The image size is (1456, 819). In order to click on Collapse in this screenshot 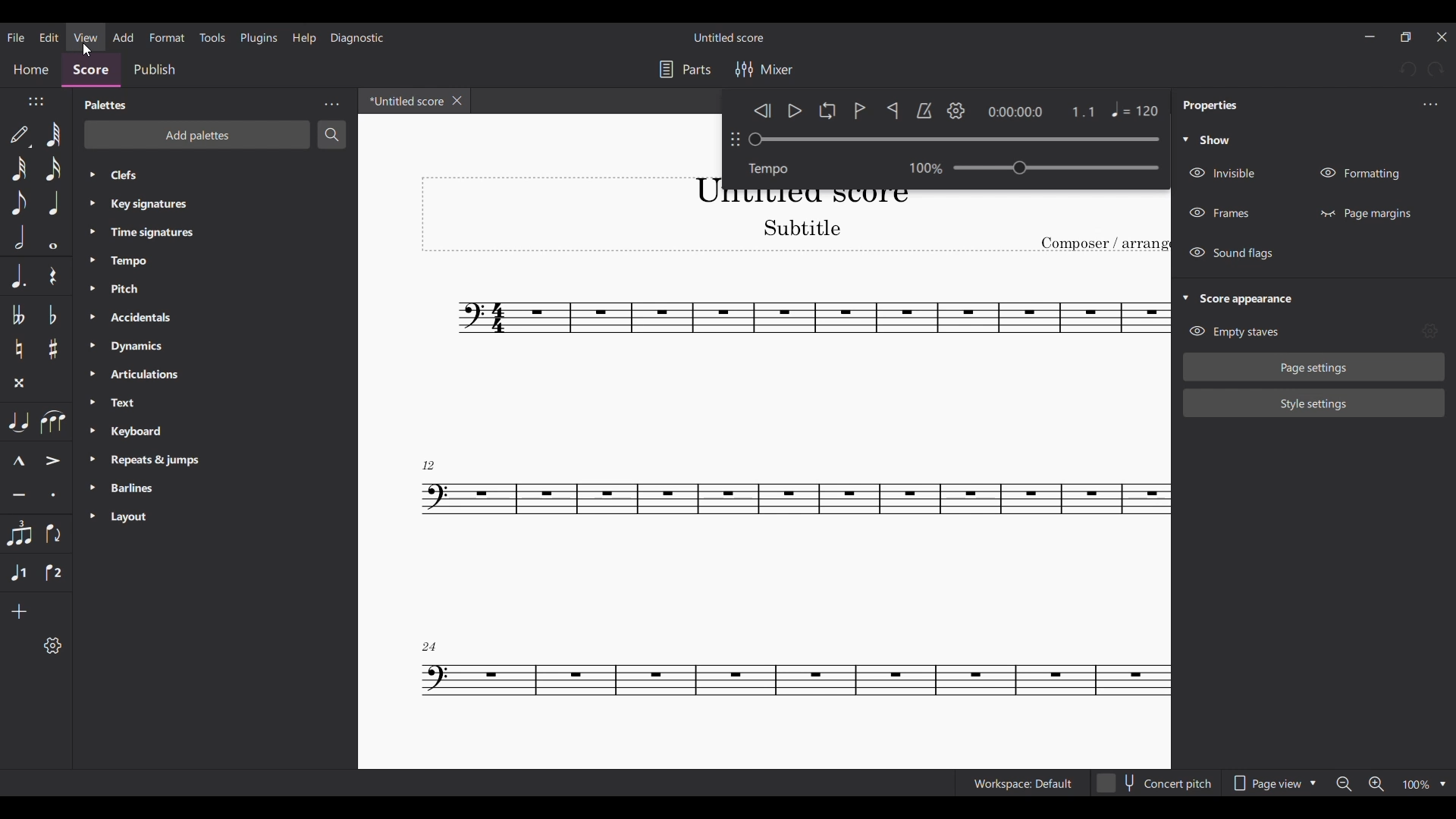, I will do `click(1185, 139)`.